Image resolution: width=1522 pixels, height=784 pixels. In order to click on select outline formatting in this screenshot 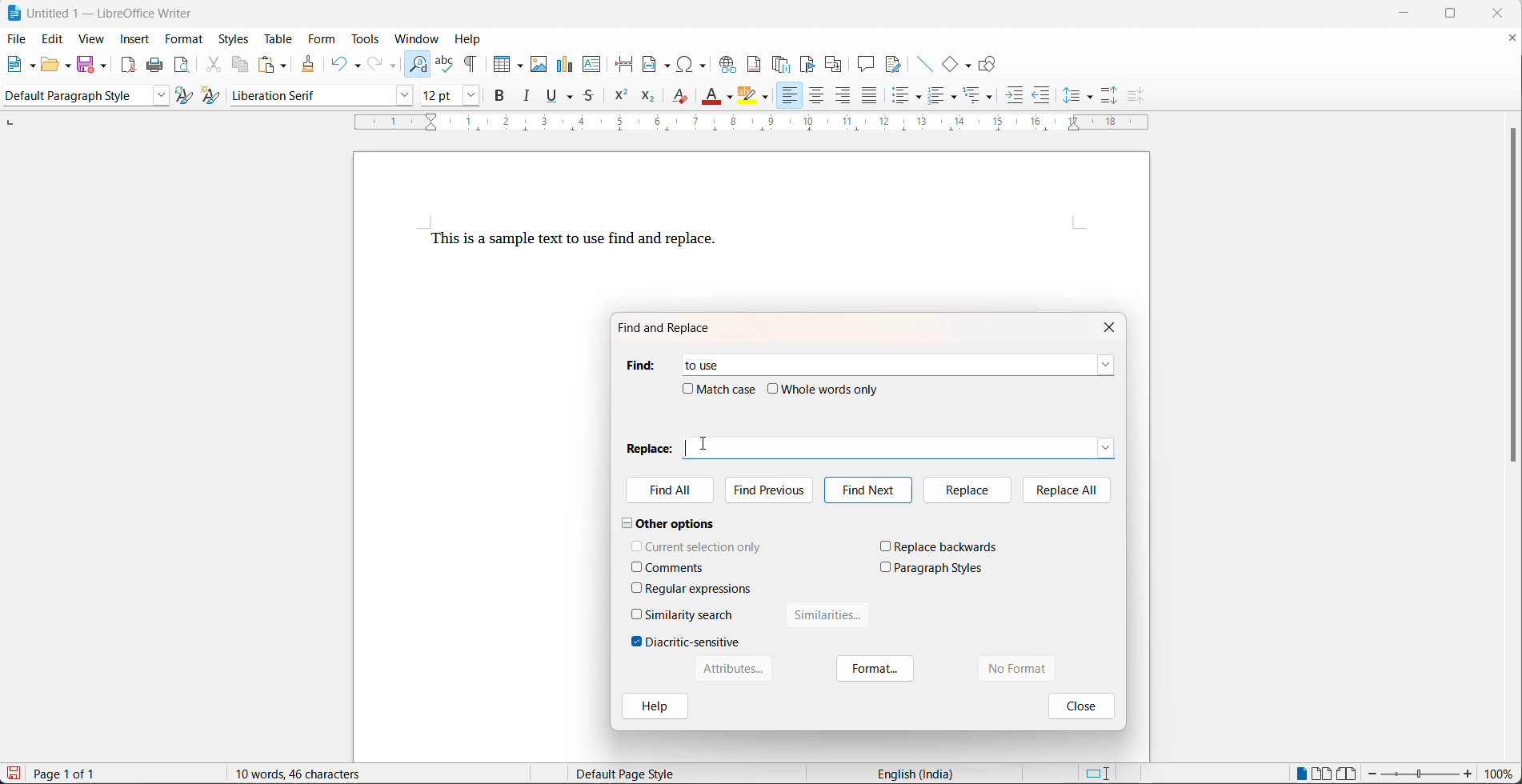, I will do `click(984, 95)`.